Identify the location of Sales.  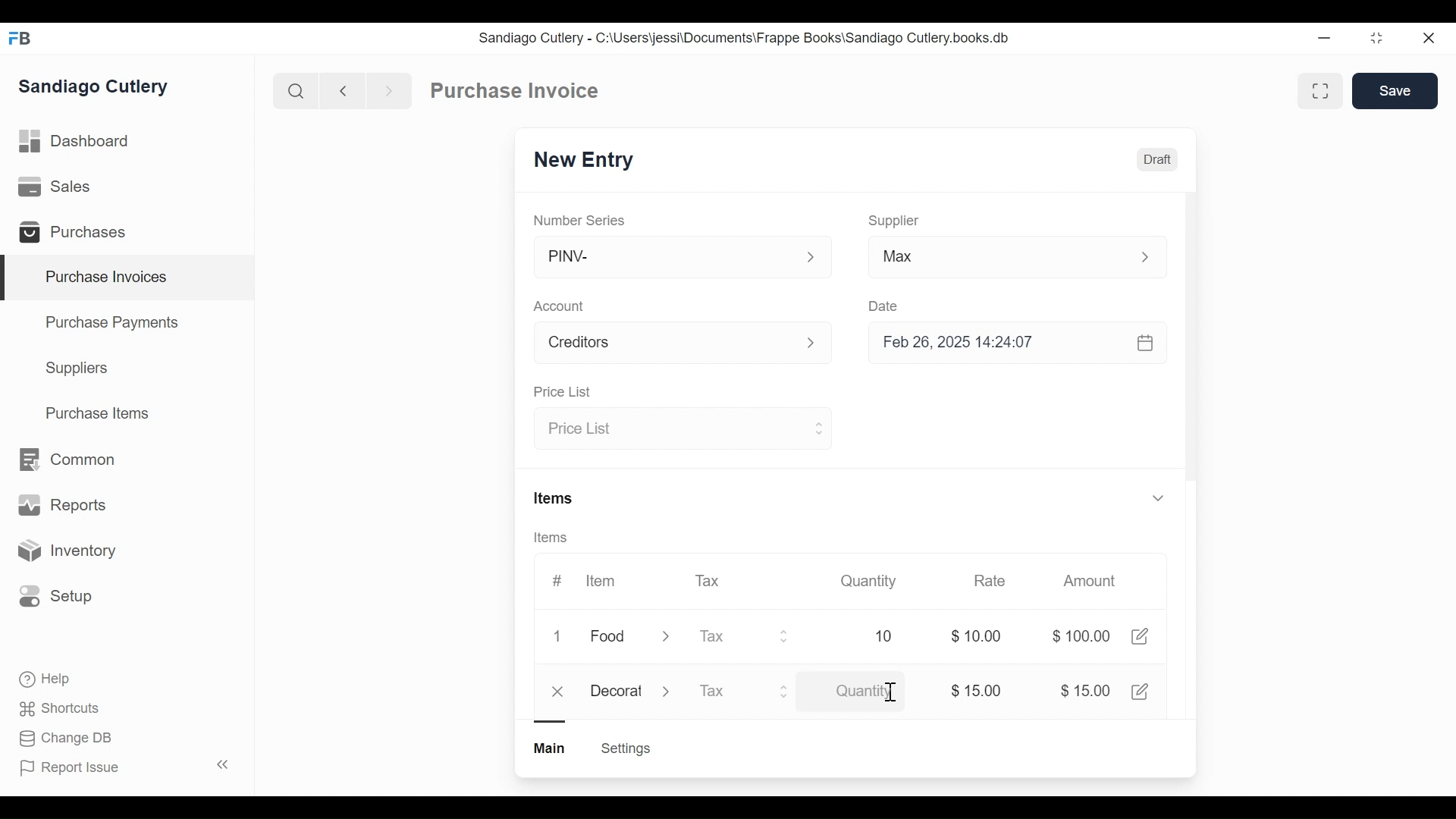
(58, 187).